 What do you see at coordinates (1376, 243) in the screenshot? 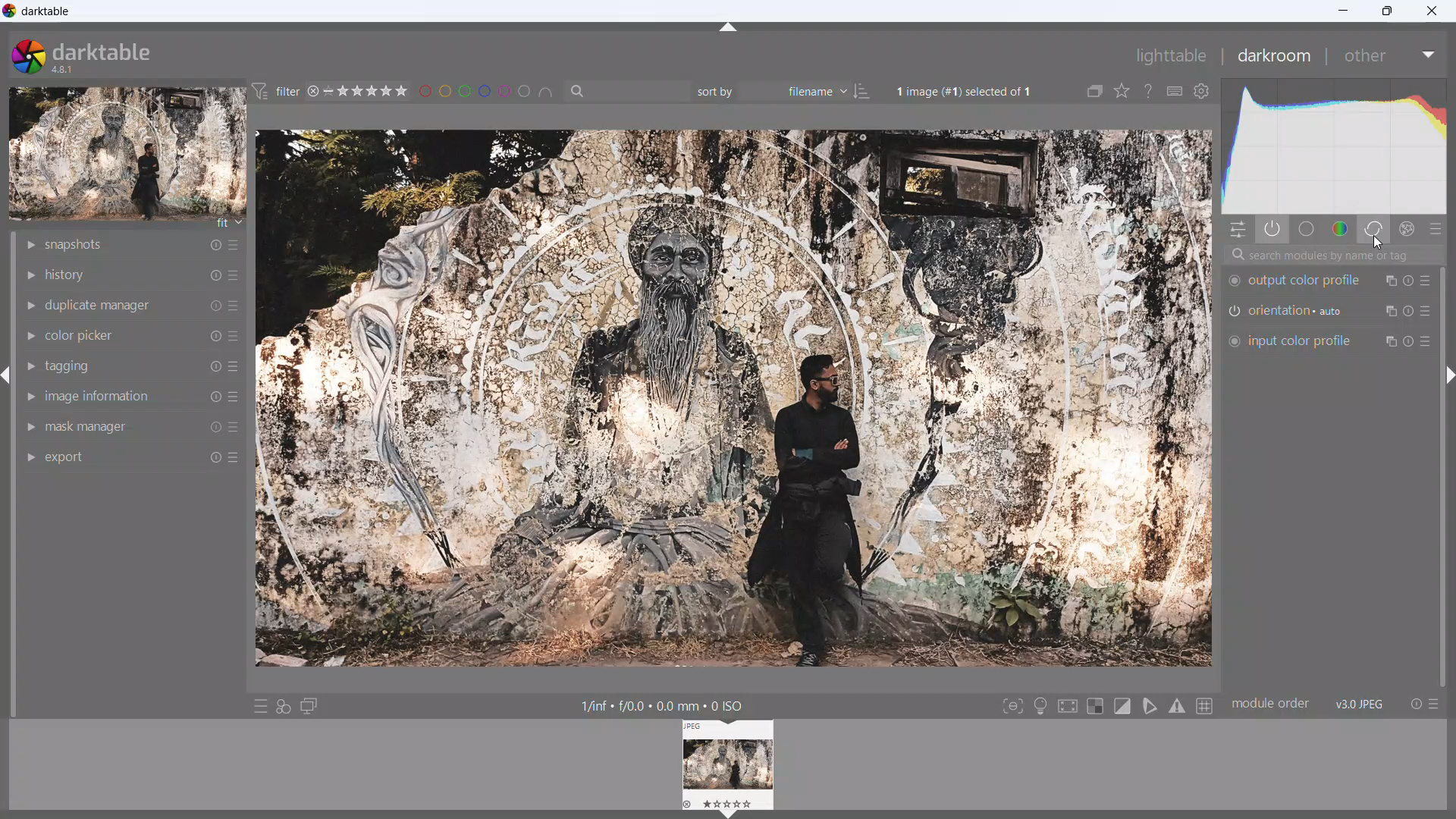
I see `cursor` at bounding box center [1376, 243].